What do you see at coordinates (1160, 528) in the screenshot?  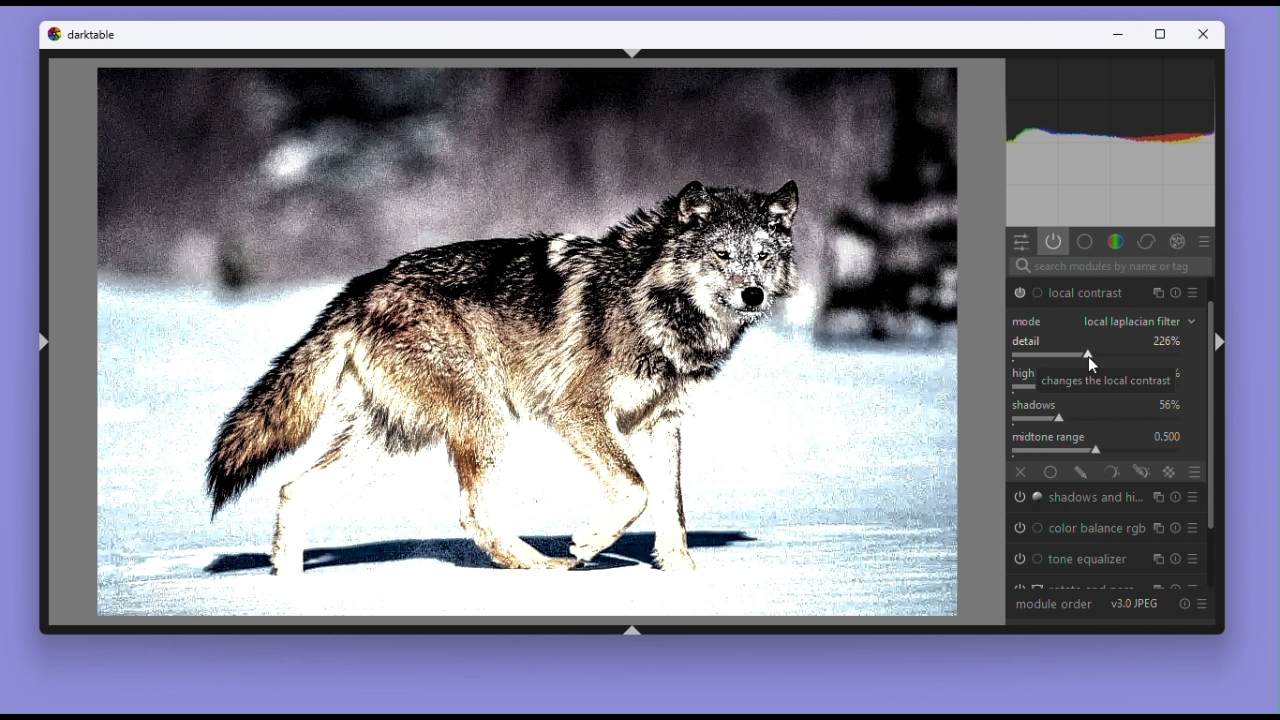 I see `multiple instance actions` at bounding box center [1160, 528].